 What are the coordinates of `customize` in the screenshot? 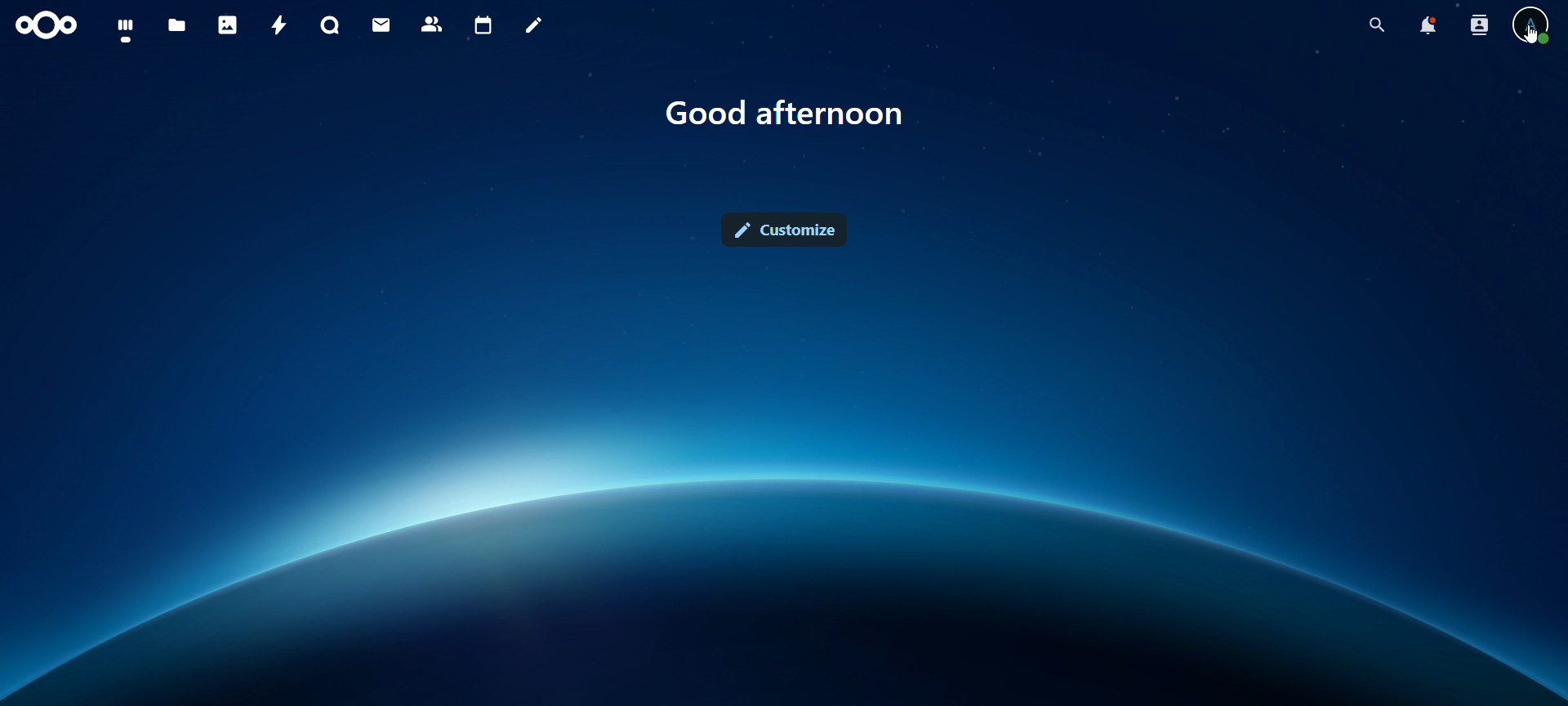 It's located at (787, 234).